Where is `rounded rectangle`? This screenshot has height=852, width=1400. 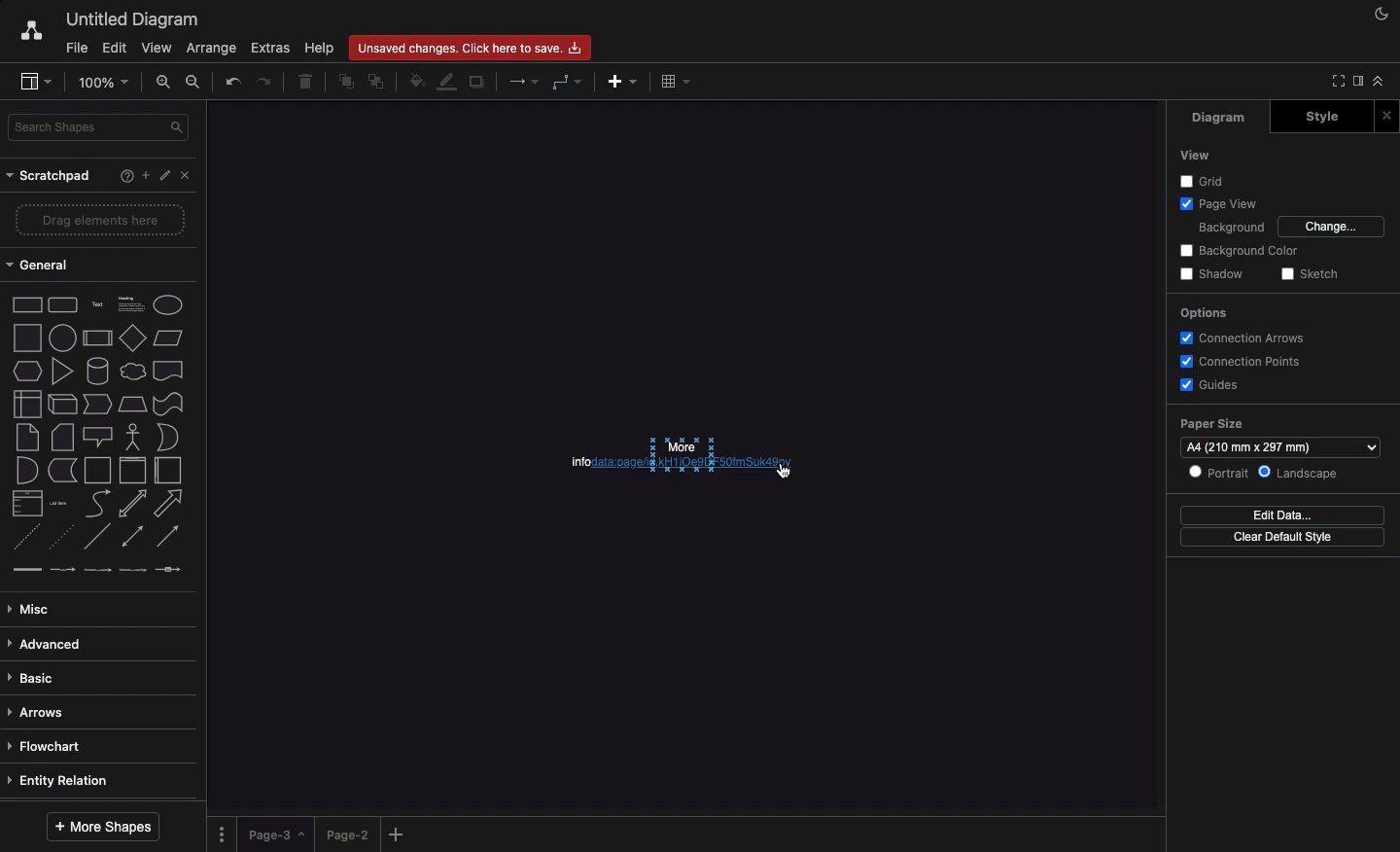 rounded rectangle is located at coordinates (63, 303).